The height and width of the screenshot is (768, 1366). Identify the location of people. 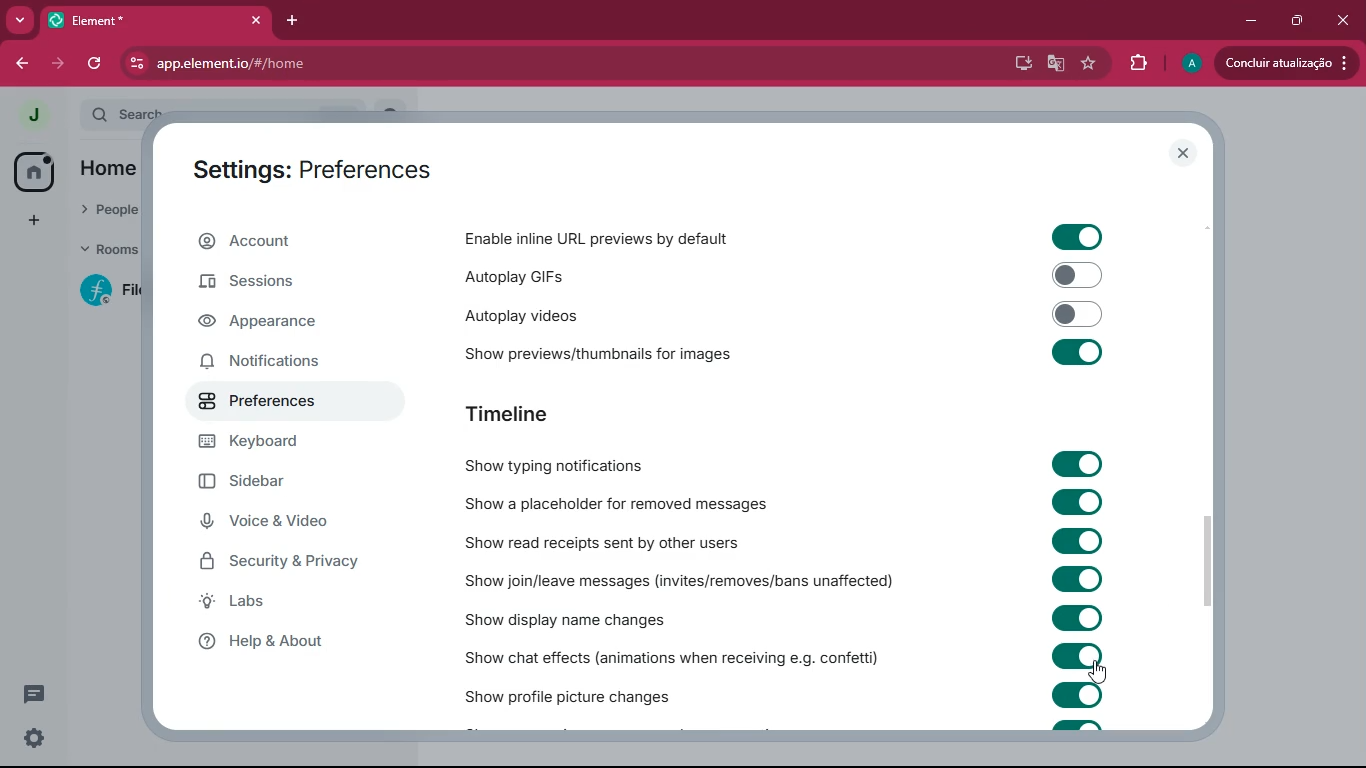
(104, 212).